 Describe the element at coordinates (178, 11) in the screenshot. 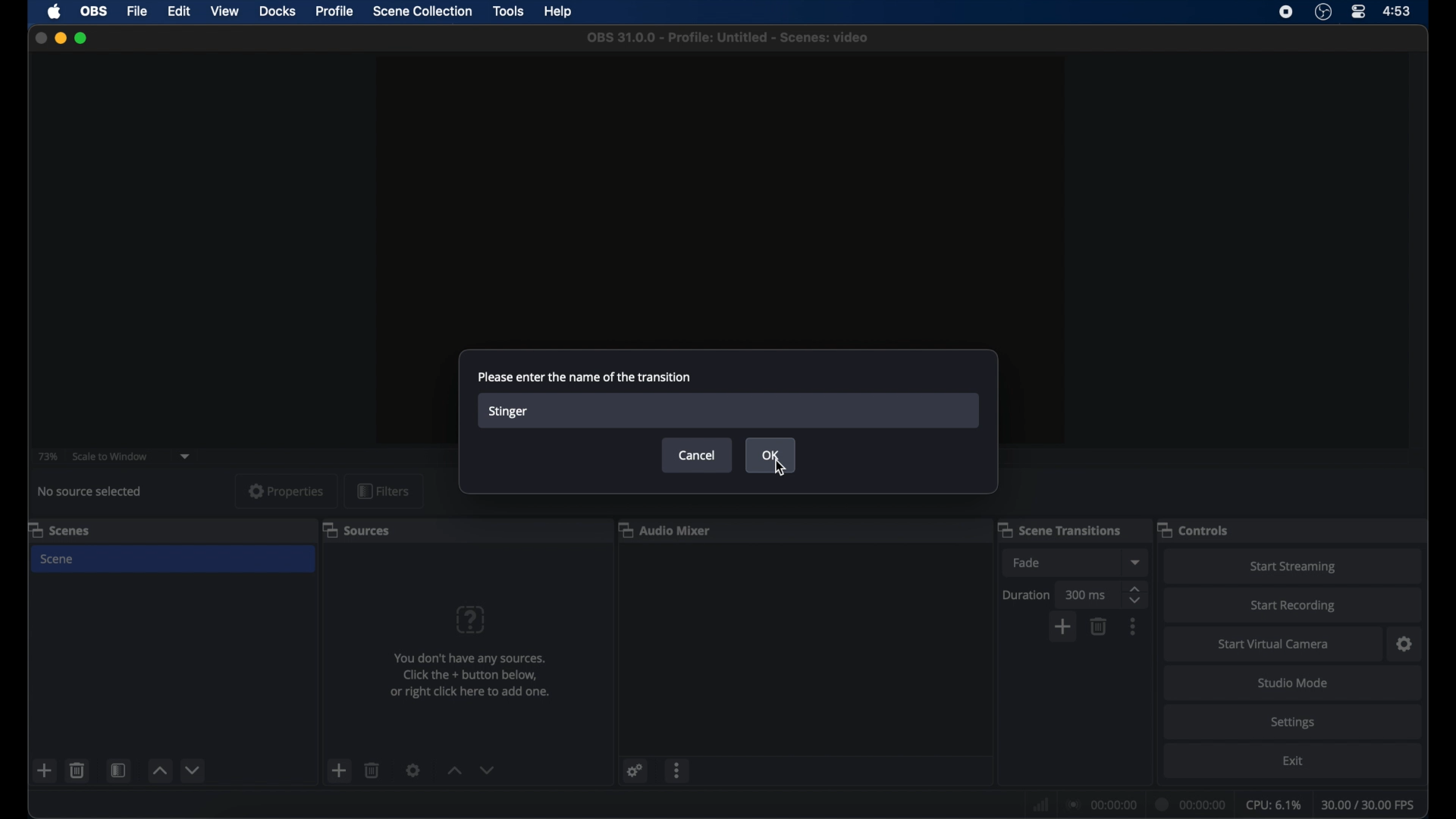

I see `edit` at that location.